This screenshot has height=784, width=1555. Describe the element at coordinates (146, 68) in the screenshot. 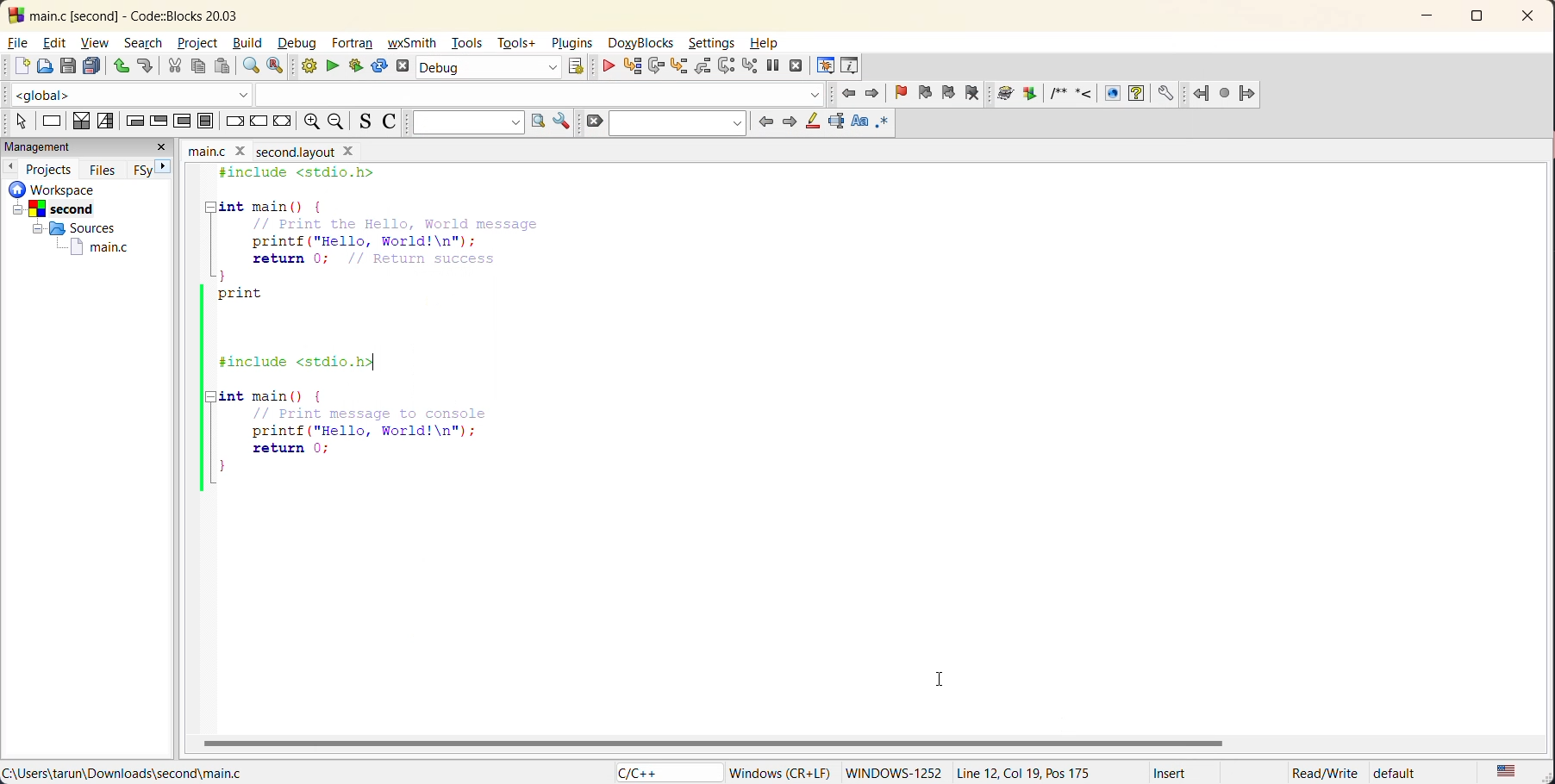

I see `redo` at that location.